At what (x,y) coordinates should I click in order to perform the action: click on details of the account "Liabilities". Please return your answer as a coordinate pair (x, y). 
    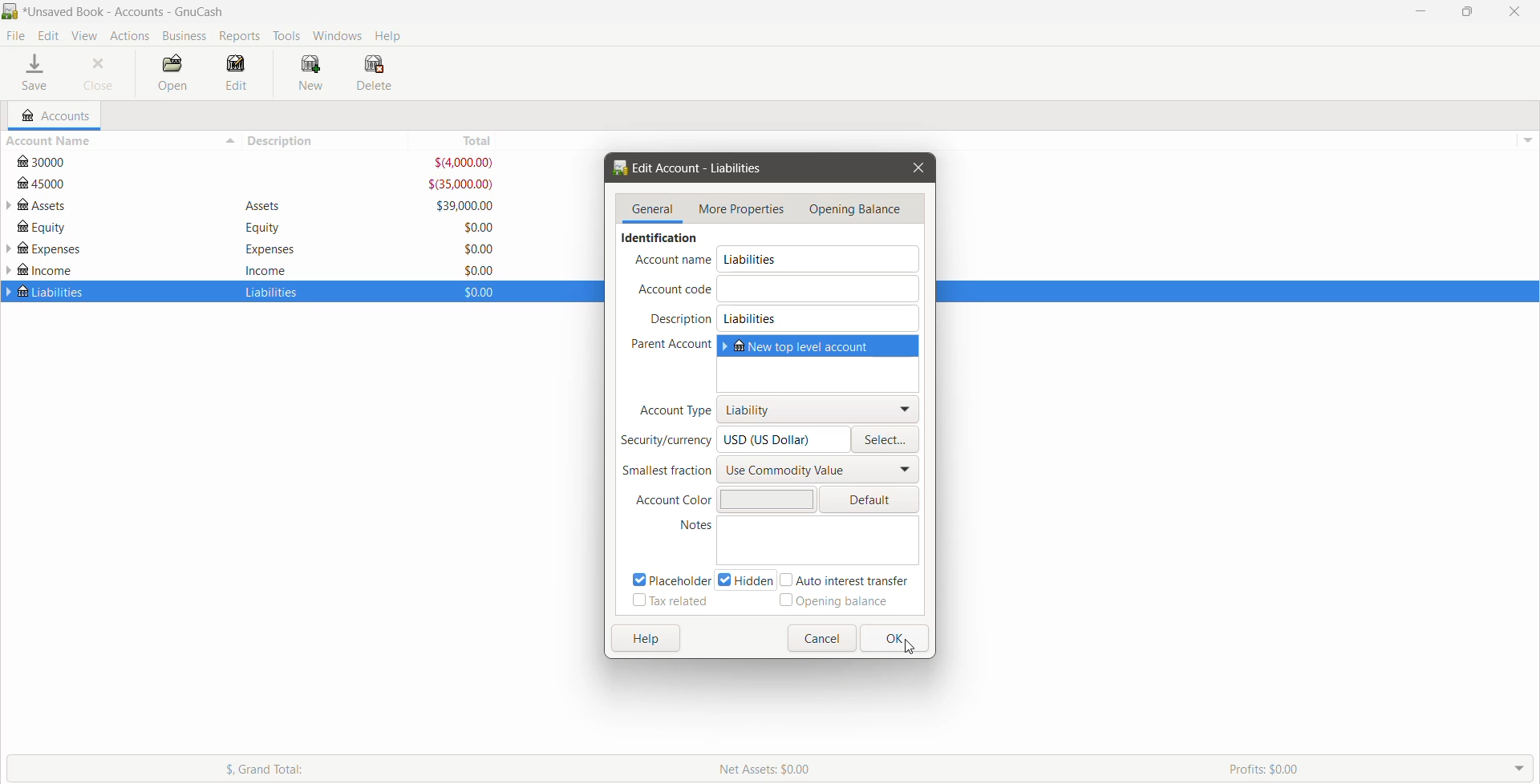
    Looking at the image, I should click on (268, 293).